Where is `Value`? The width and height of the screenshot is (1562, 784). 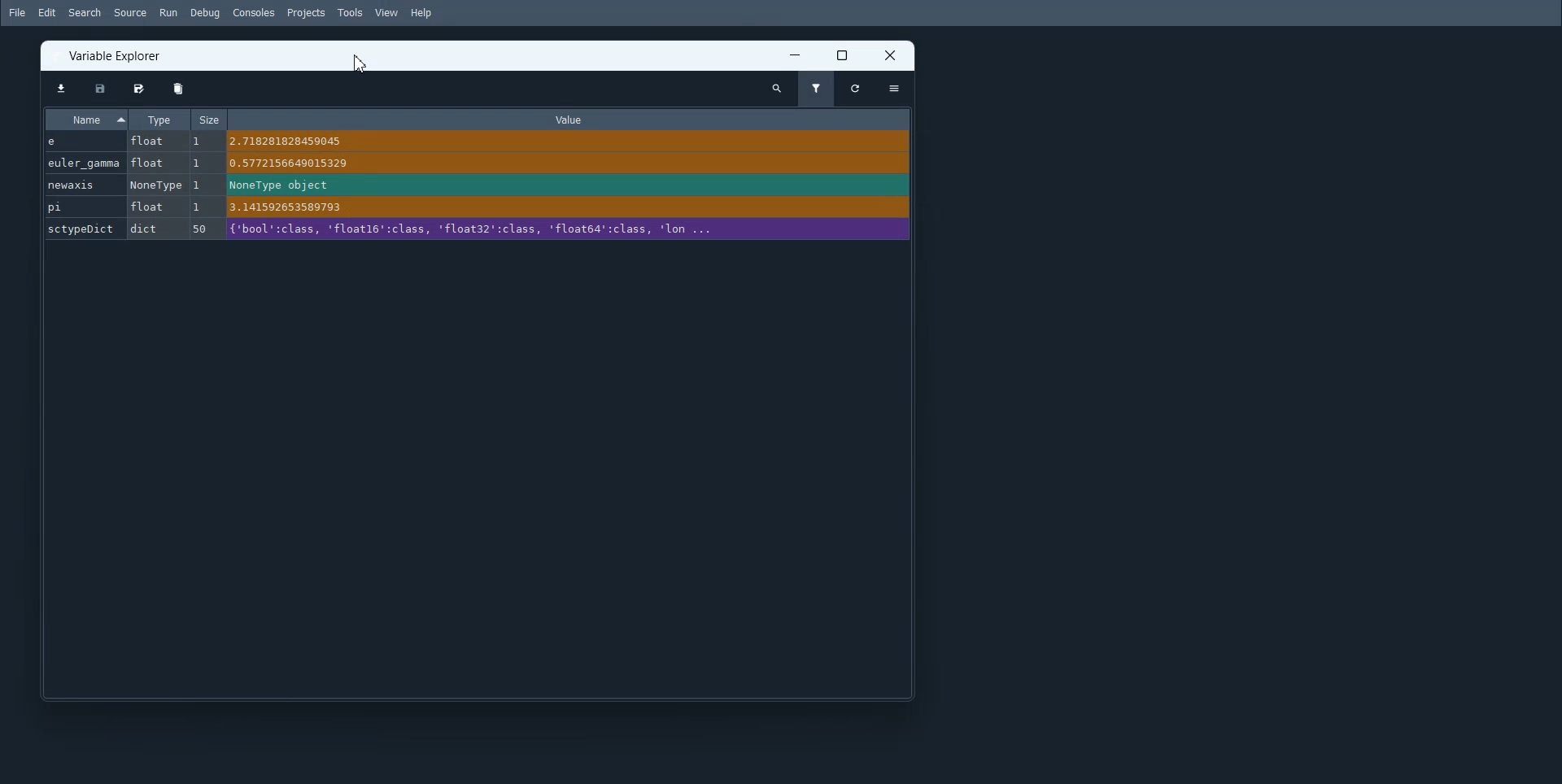
Value is located at coordinates (578, 119).